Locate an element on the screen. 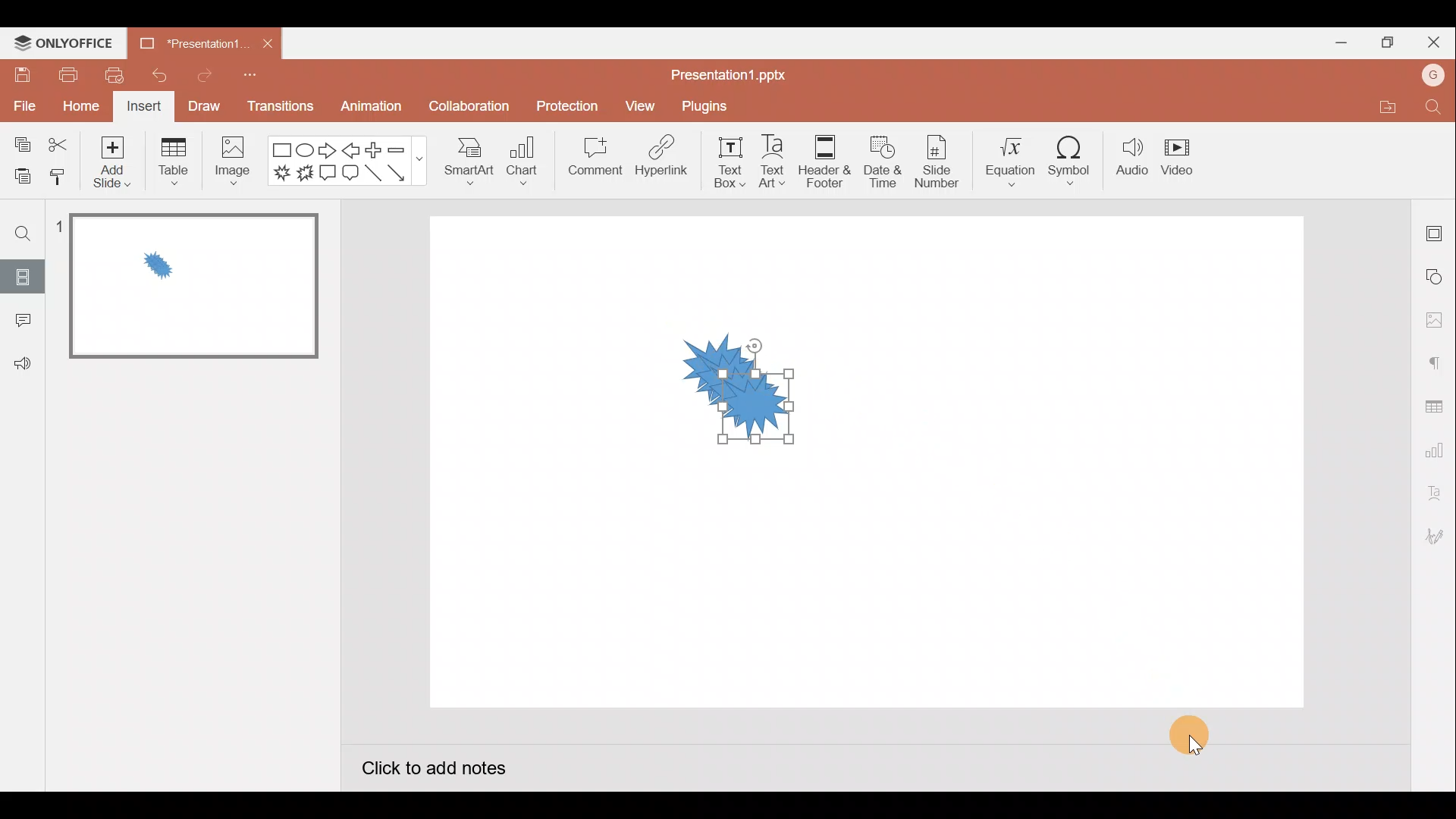 This screenshot has height=819, width=1456. Chart is located at coordinates (529, 165).